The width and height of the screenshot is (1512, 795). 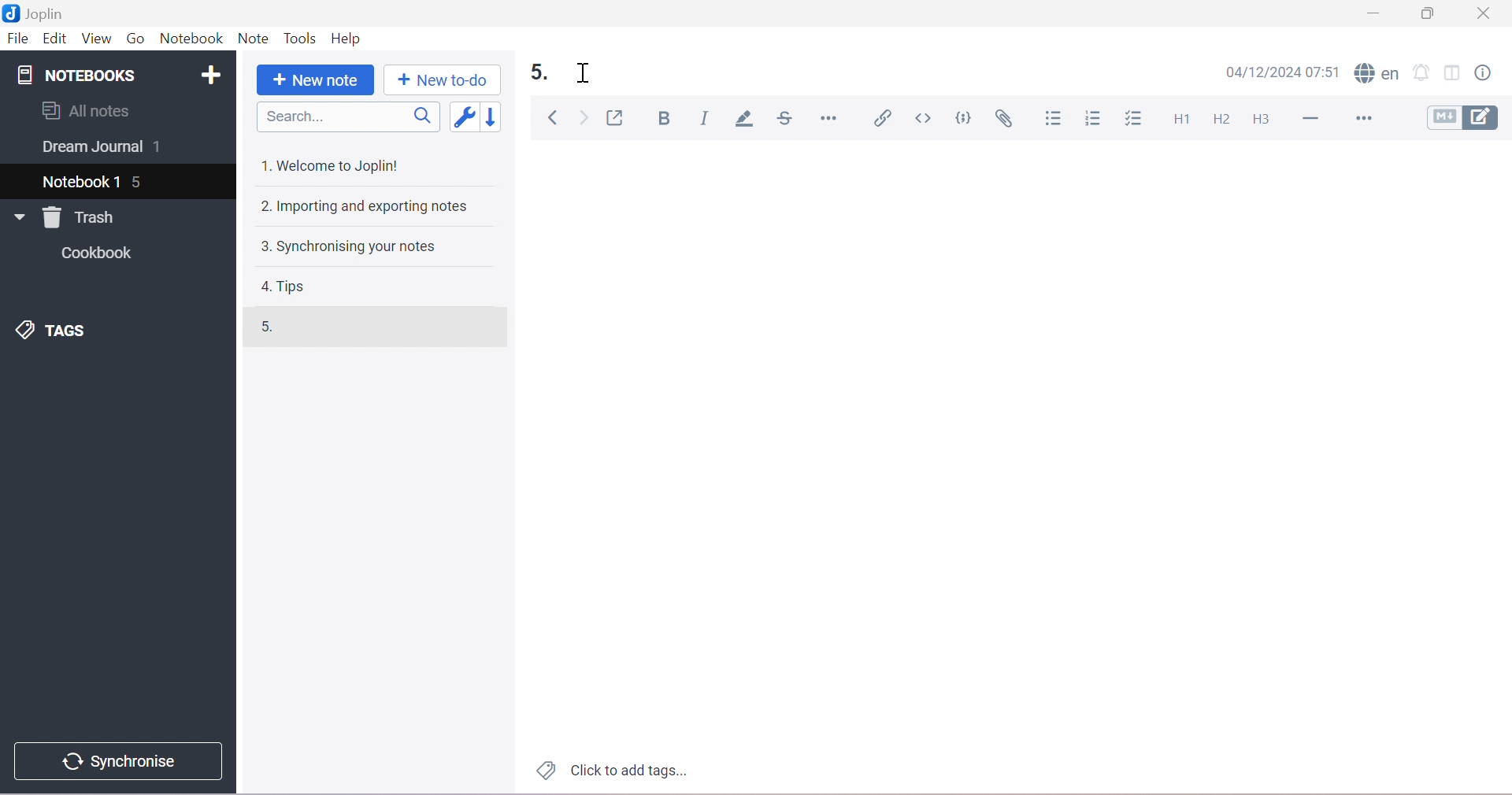 What do you see at coordinates (39, 13) in the screenshot?
I see `Joplin` at bounding box center [39, 13].